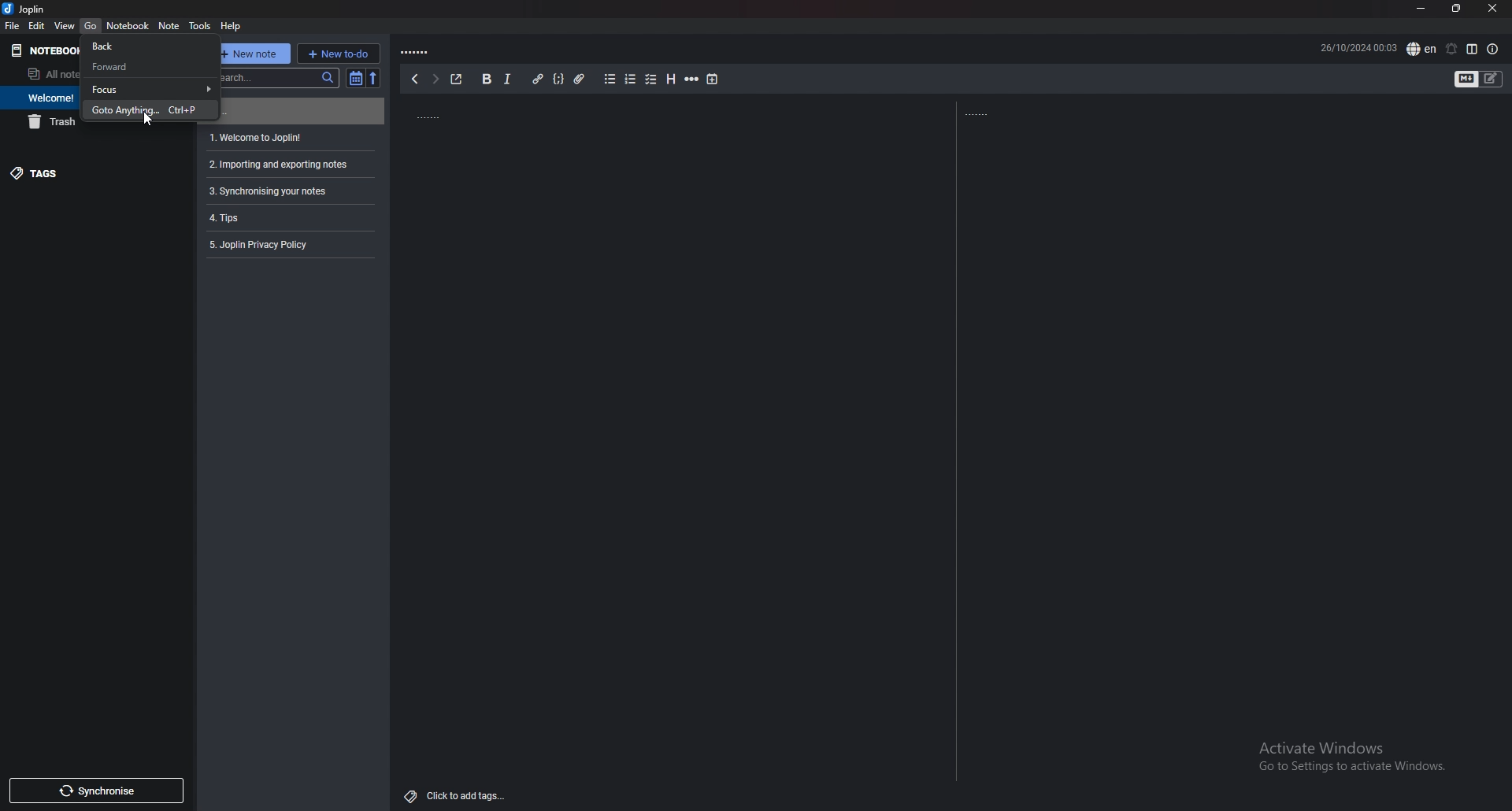 Image resolution: width=1512 pixels, height=811 pixels. I want to click on italic, so click(508, 79).